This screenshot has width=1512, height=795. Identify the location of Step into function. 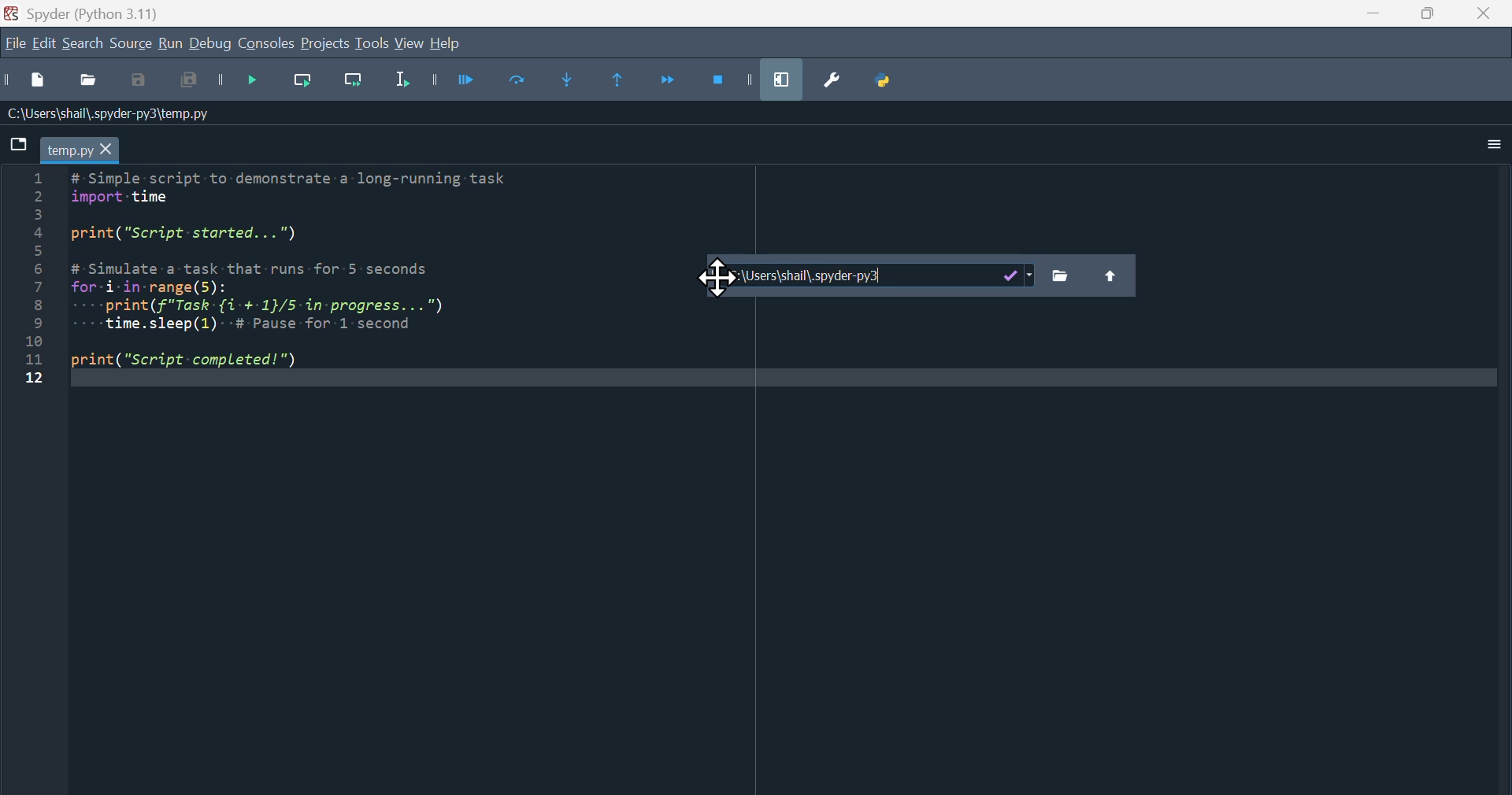
(580, 83).